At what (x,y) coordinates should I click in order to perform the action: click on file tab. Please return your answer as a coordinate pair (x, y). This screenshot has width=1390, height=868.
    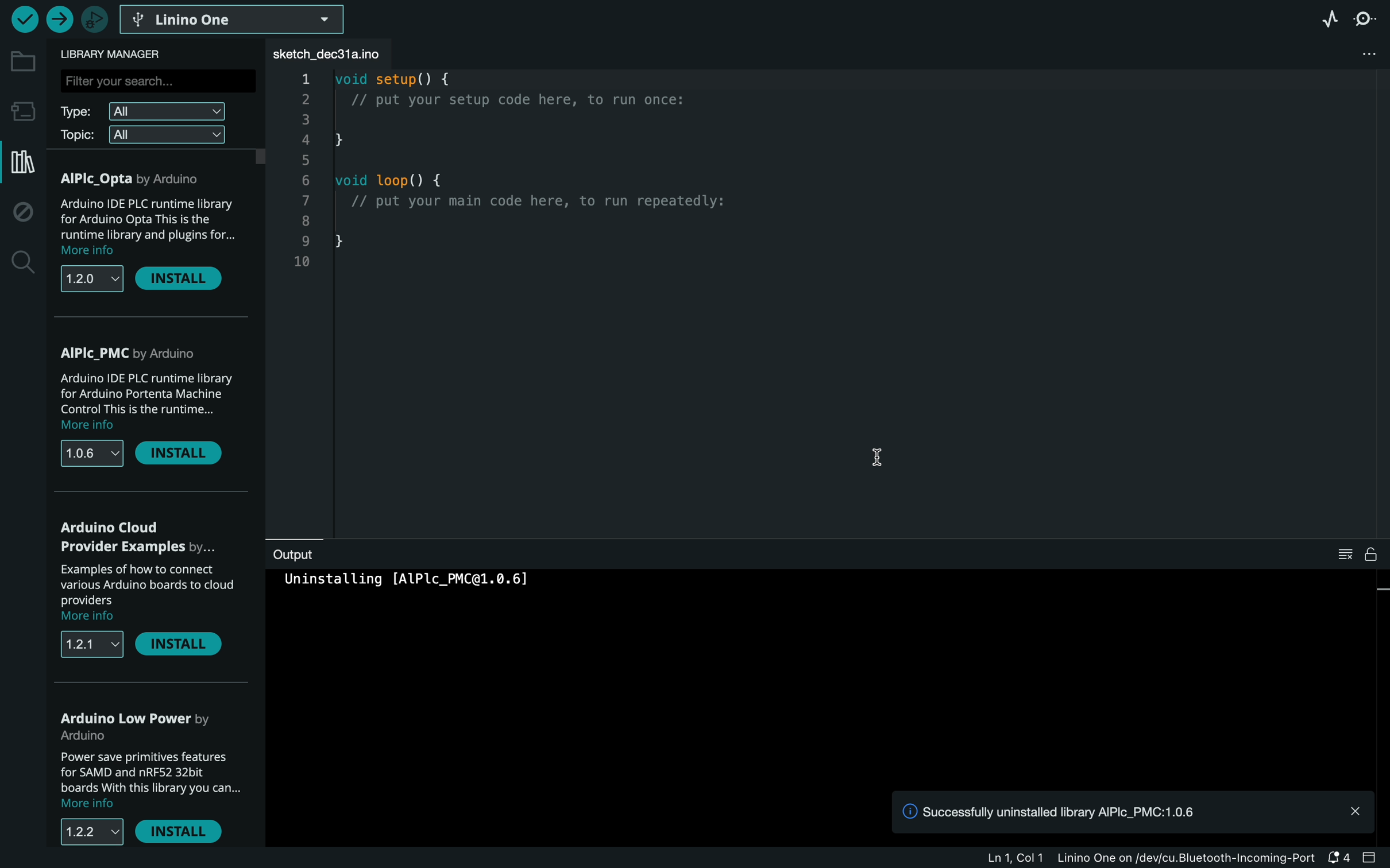
    Looking at the image, I should click on (334, 53).